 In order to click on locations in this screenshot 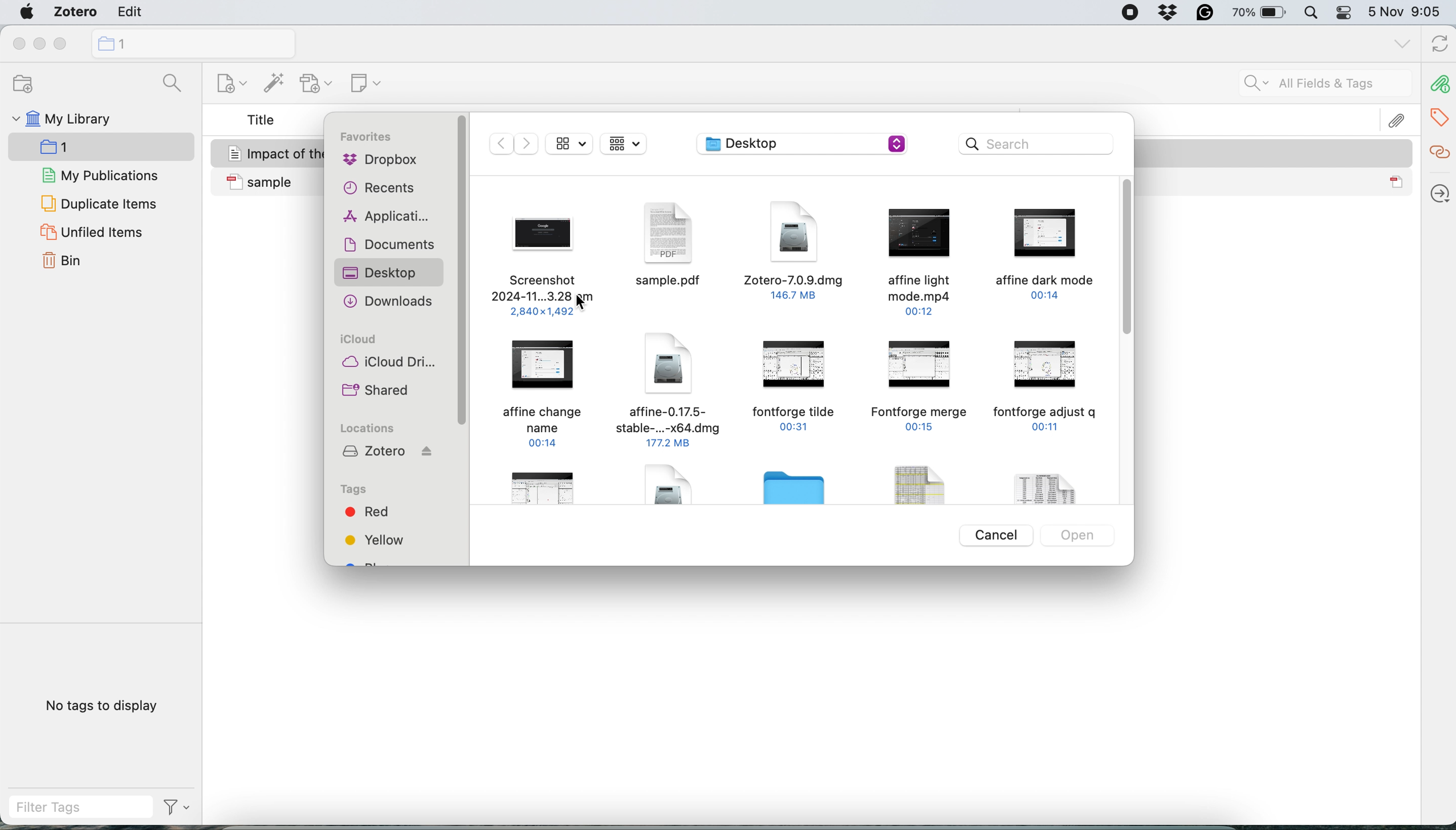, I will do `click(372, 429)`.